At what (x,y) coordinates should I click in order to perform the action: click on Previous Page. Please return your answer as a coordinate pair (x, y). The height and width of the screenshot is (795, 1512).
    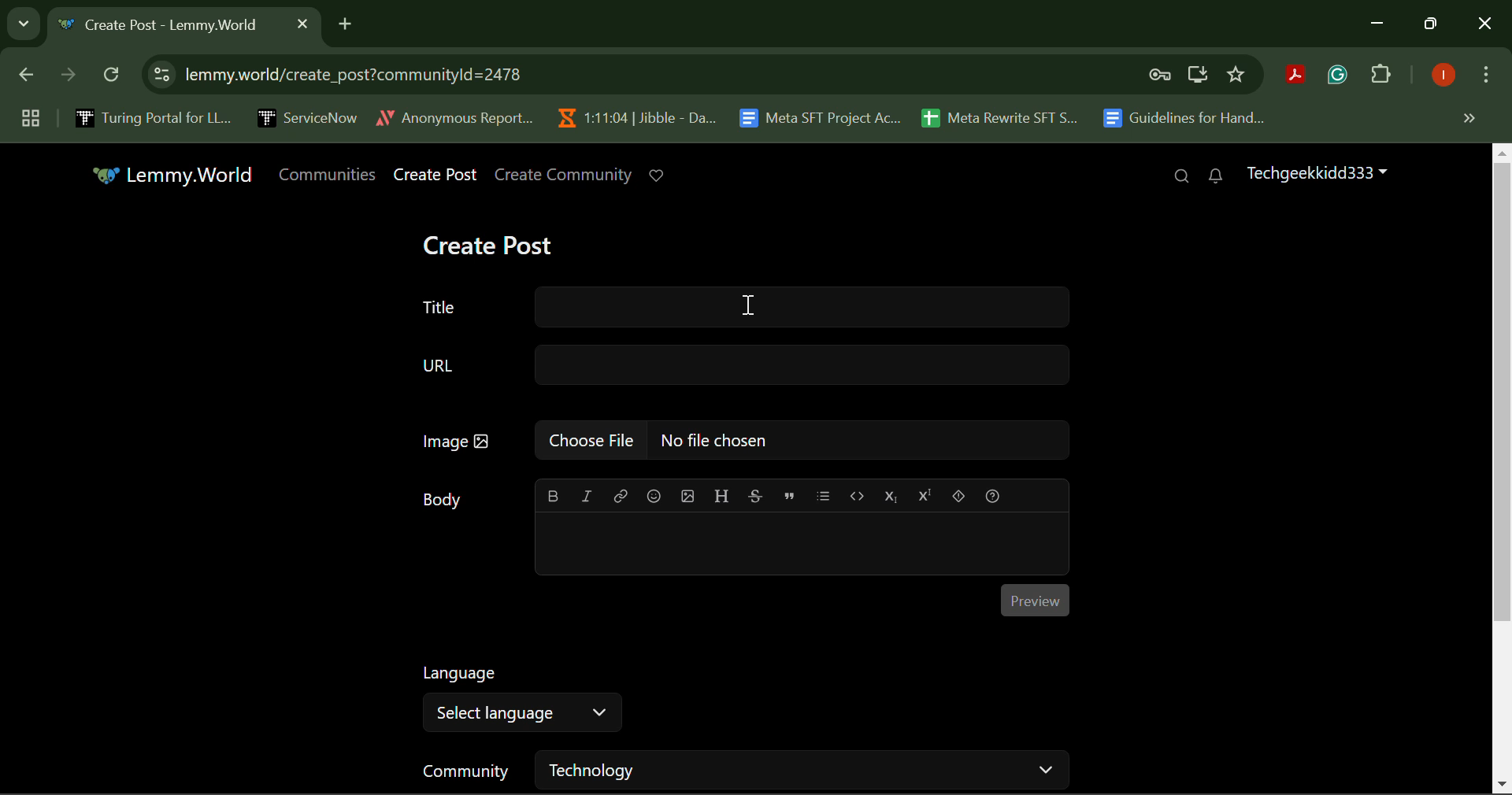
    Looking at the image, I should click on (29, 78).